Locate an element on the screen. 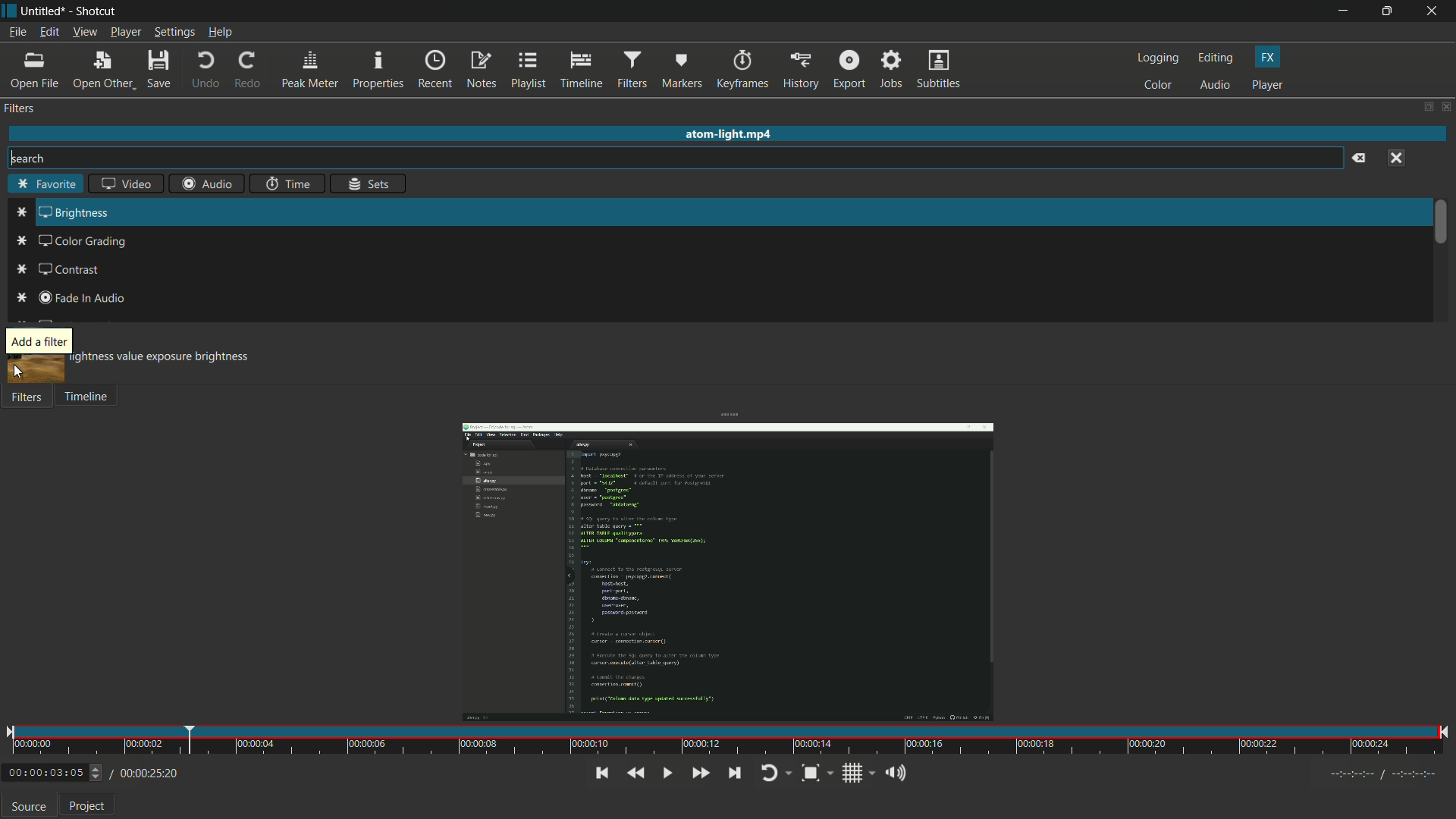 Image resolution: width=1456 pixels, height=819 pixels. toggle zoom is located at coordinates (809, 773).